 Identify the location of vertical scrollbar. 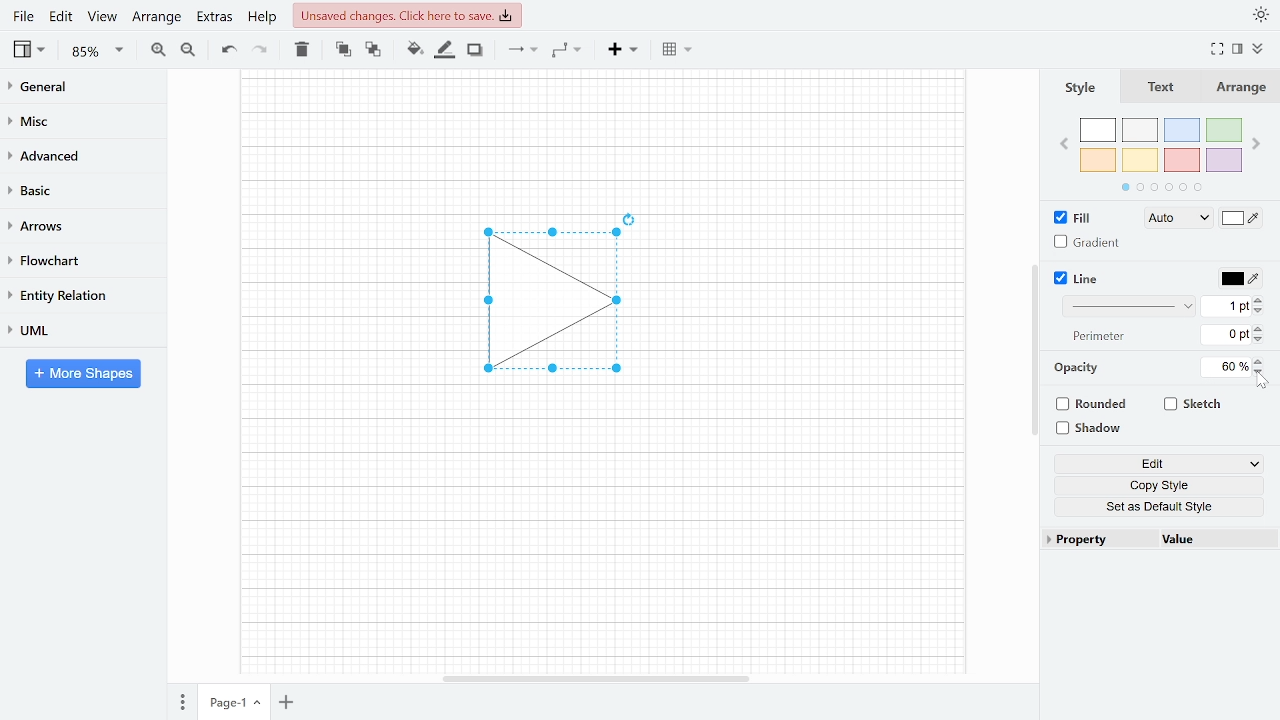
(1034, 350).